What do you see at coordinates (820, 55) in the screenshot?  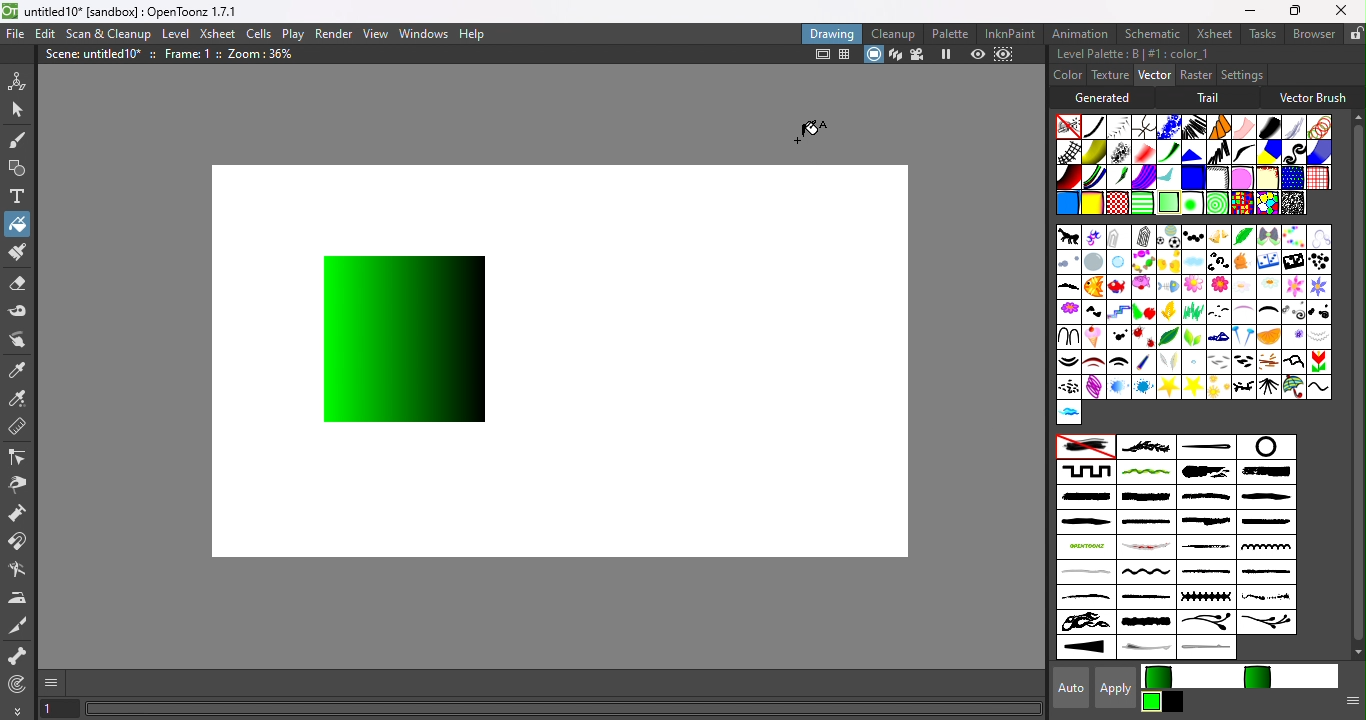 I see `Safe area` at bounding box center [820, 55].